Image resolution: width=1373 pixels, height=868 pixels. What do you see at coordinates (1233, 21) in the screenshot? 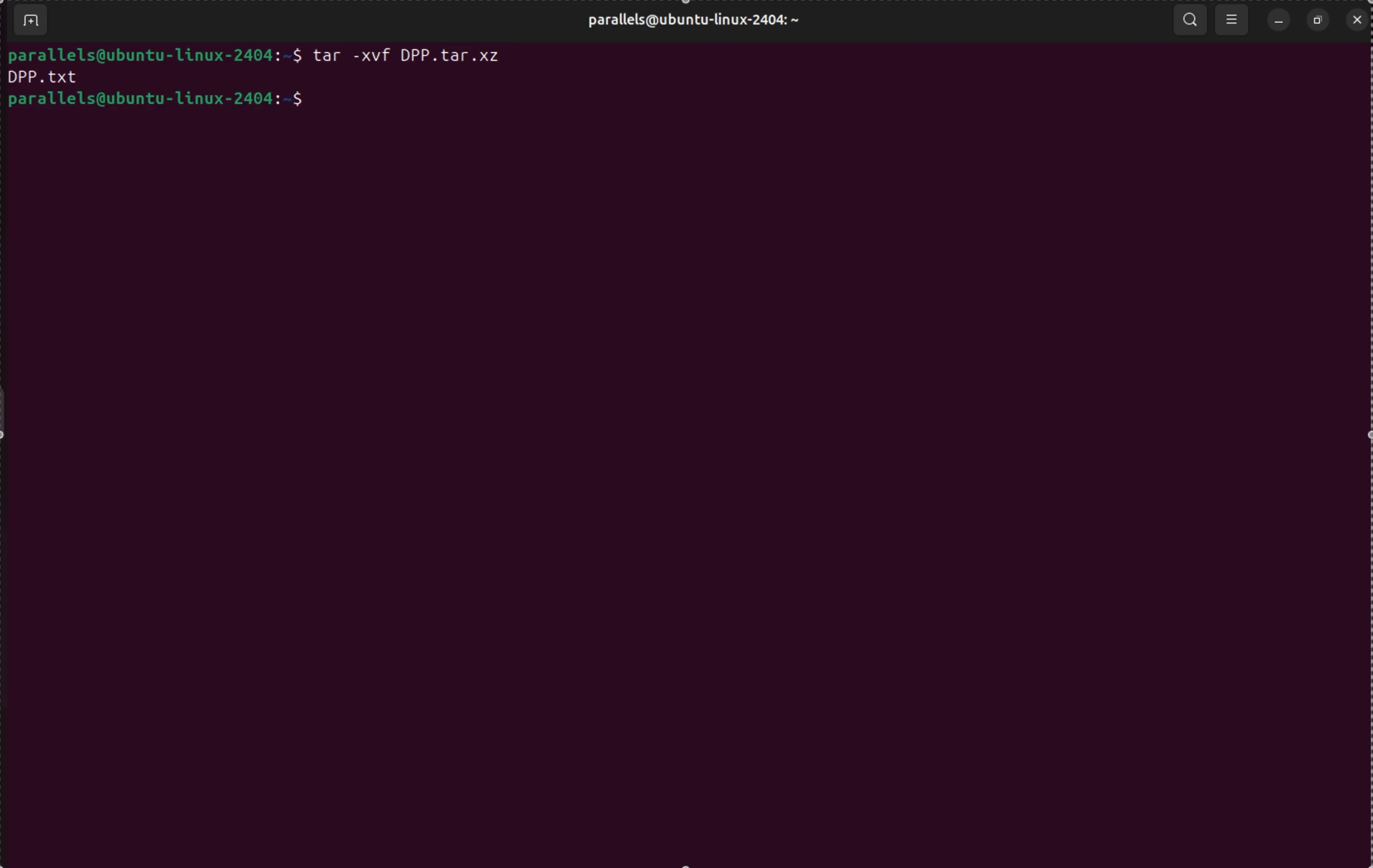
I see `view options` at bounding box center [1233, 21].